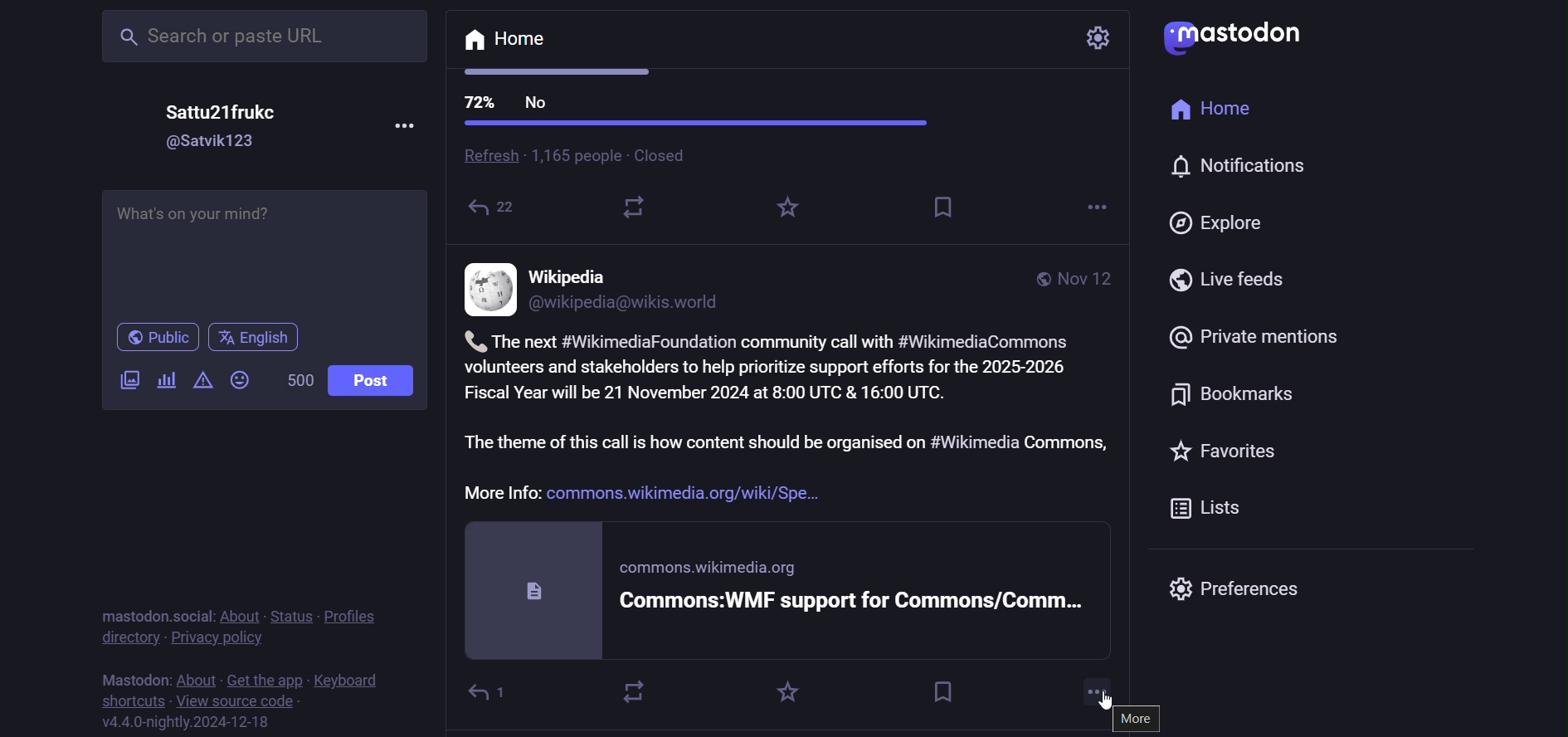  What do you see at coordinates (633, 691) in the screenshot?
I see `boost` at bounding box center [633, 691].